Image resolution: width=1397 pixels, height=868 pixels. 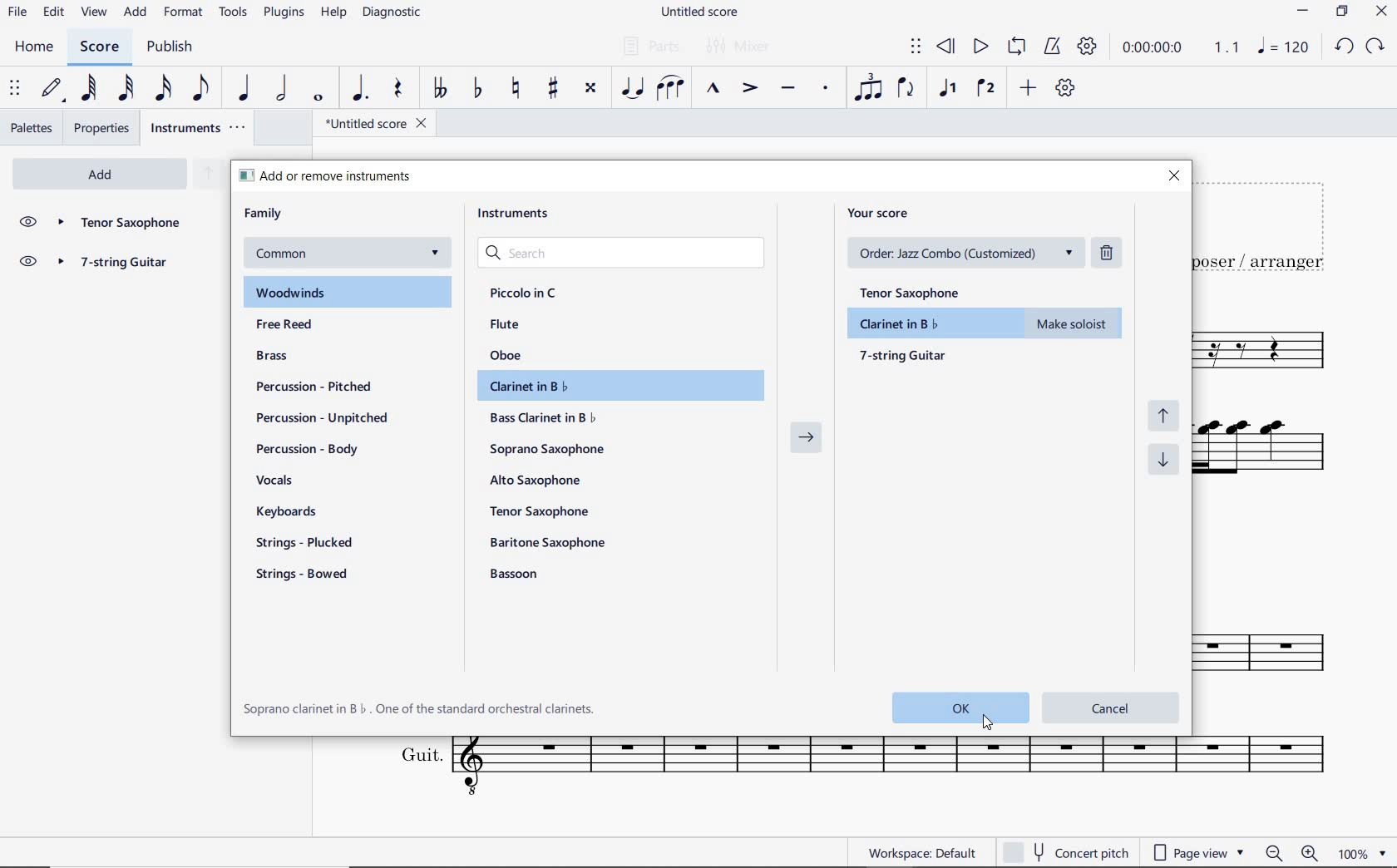 What do you see at coordinates (306, 576) in the screenshot?
I see `strings - bowed` at bounding box center [306, 576].